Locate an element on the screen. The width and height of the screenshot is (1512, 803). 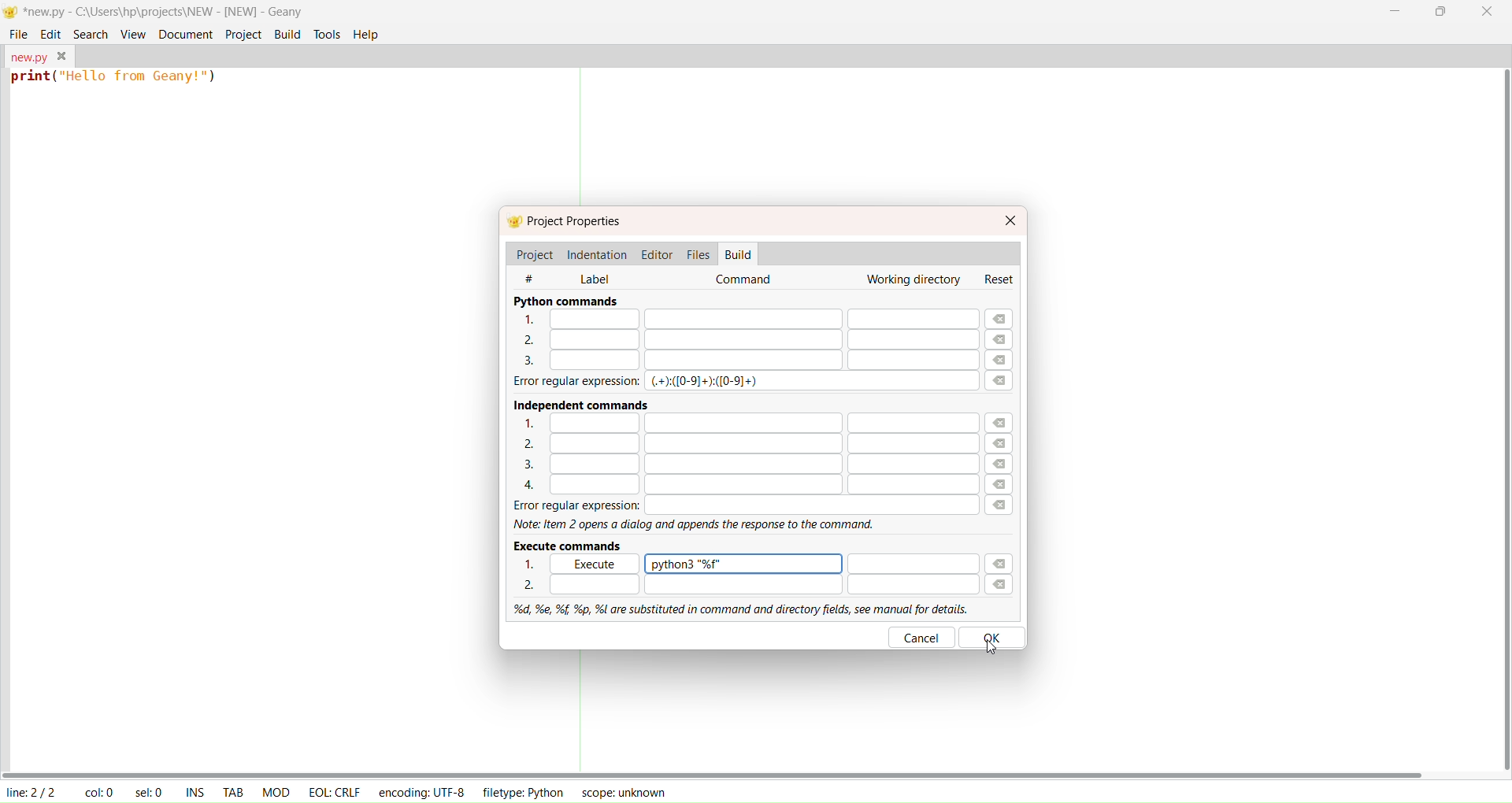
build is located at coordinates (287, 34).